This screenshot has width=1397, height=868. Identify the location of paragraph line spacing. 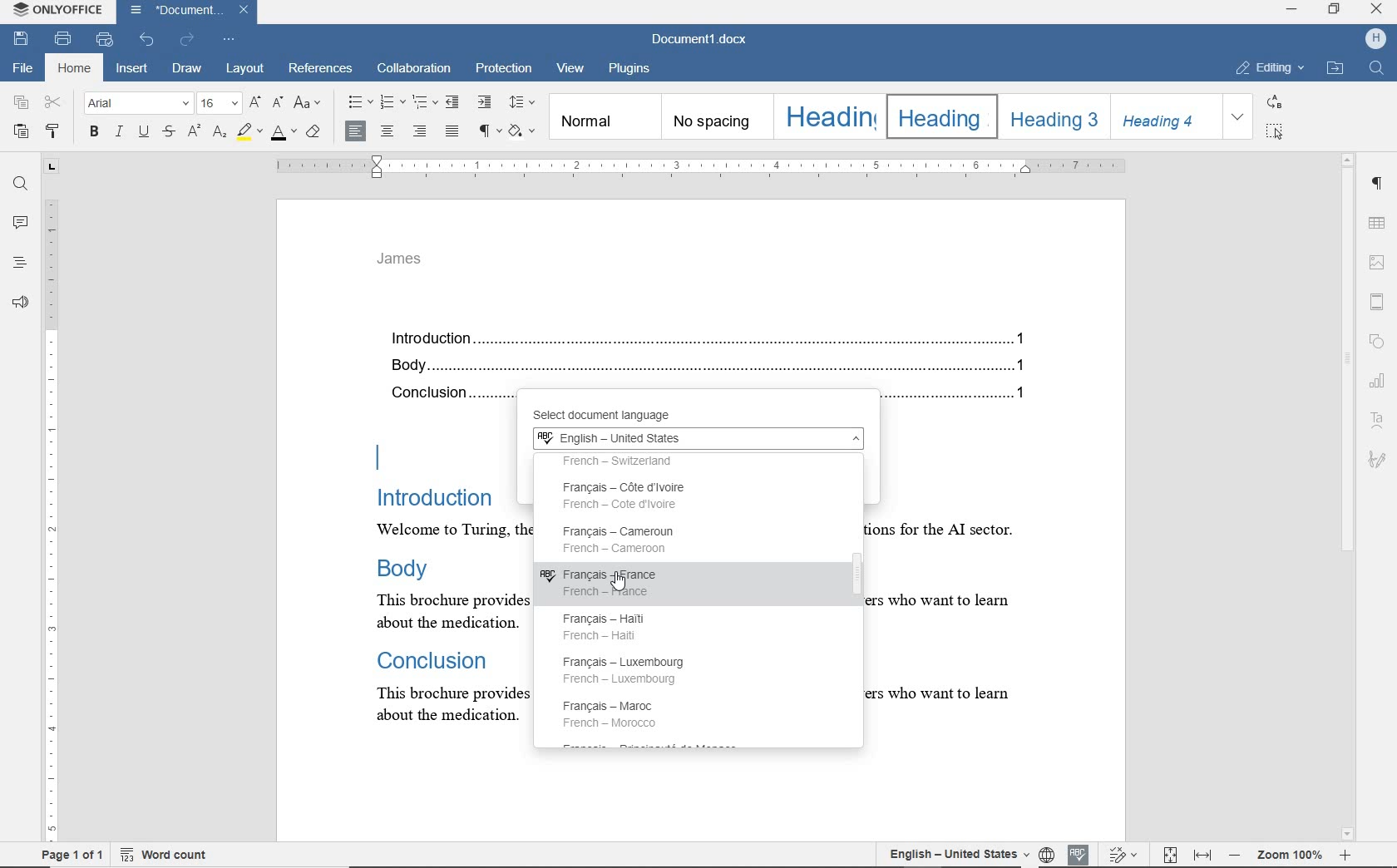
(522, 102).